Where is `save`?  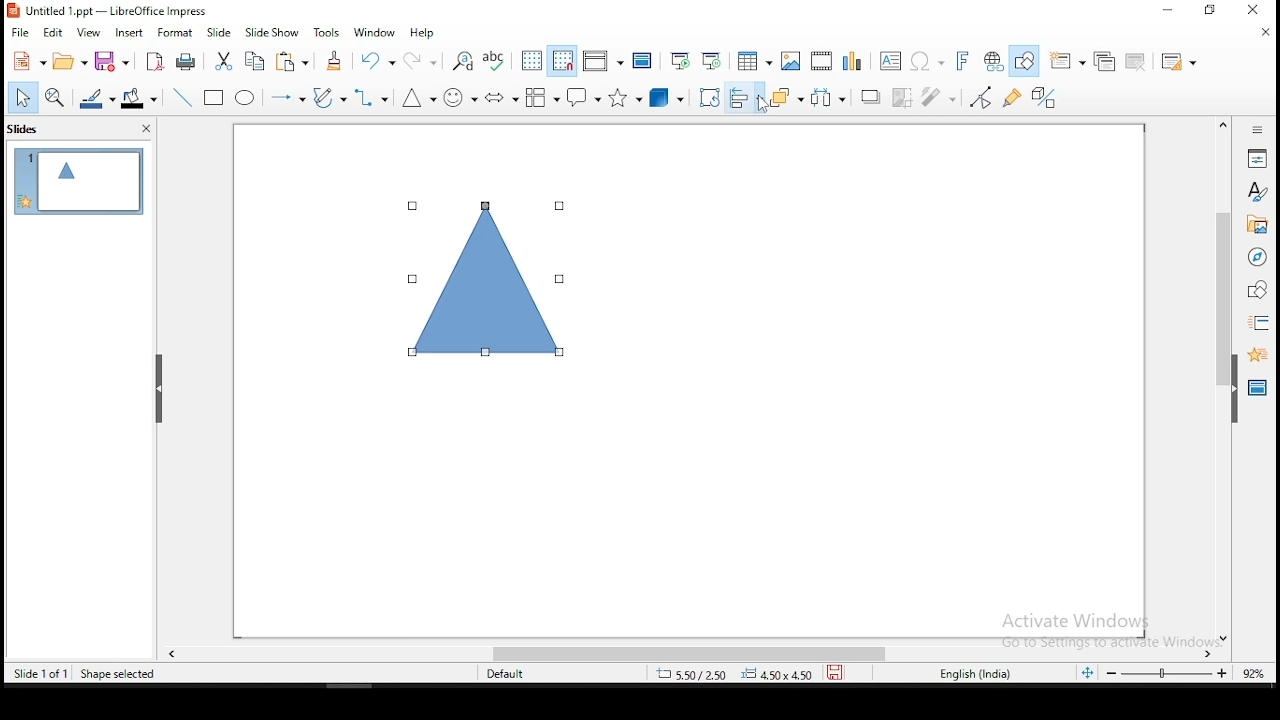 save is located at coordinates (115, 61).